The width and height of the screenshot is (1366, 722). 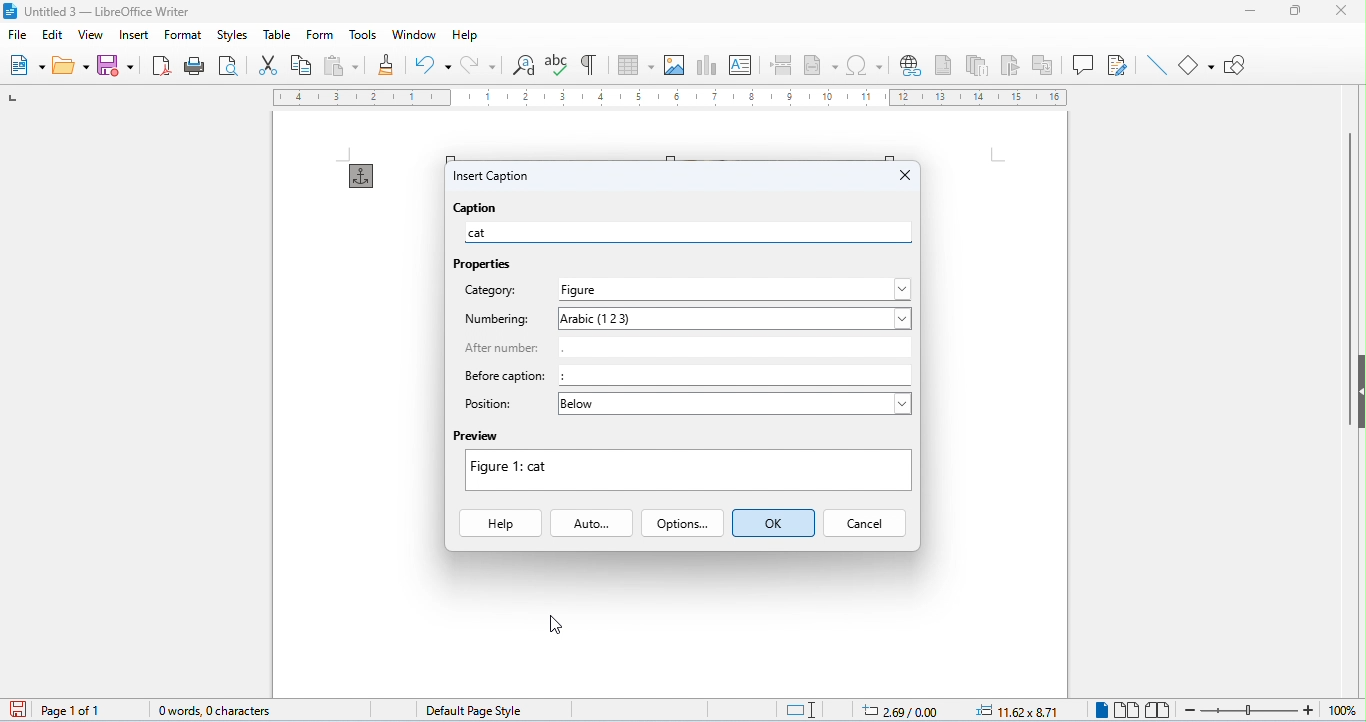 I want to click on standard selection, so click(x=801, y=710).